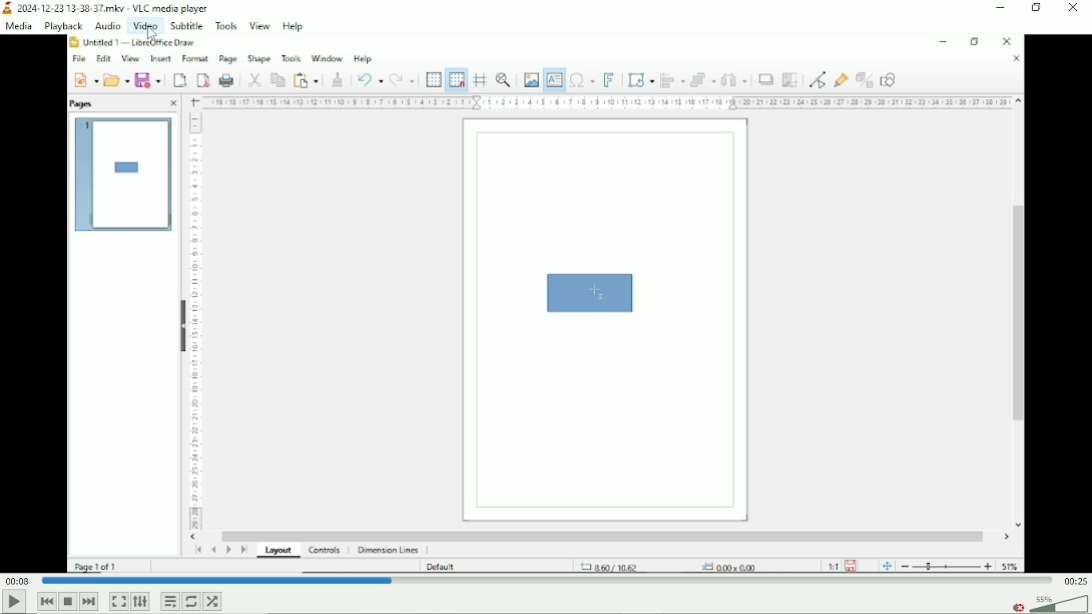  What do you see at coordinates (293, 26) in the screenshot?
I see `Help` at bounding box center [293, 26].